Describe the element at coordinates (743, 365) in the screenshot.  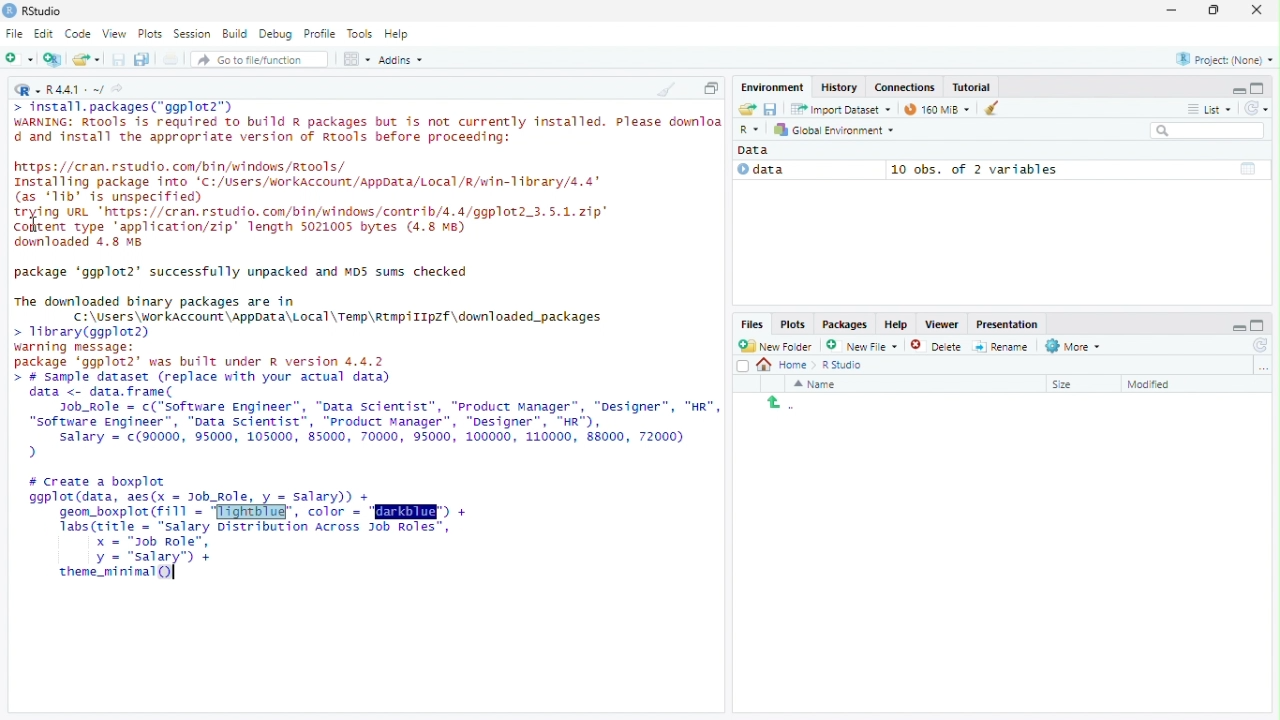
I see `Select all` at that location.